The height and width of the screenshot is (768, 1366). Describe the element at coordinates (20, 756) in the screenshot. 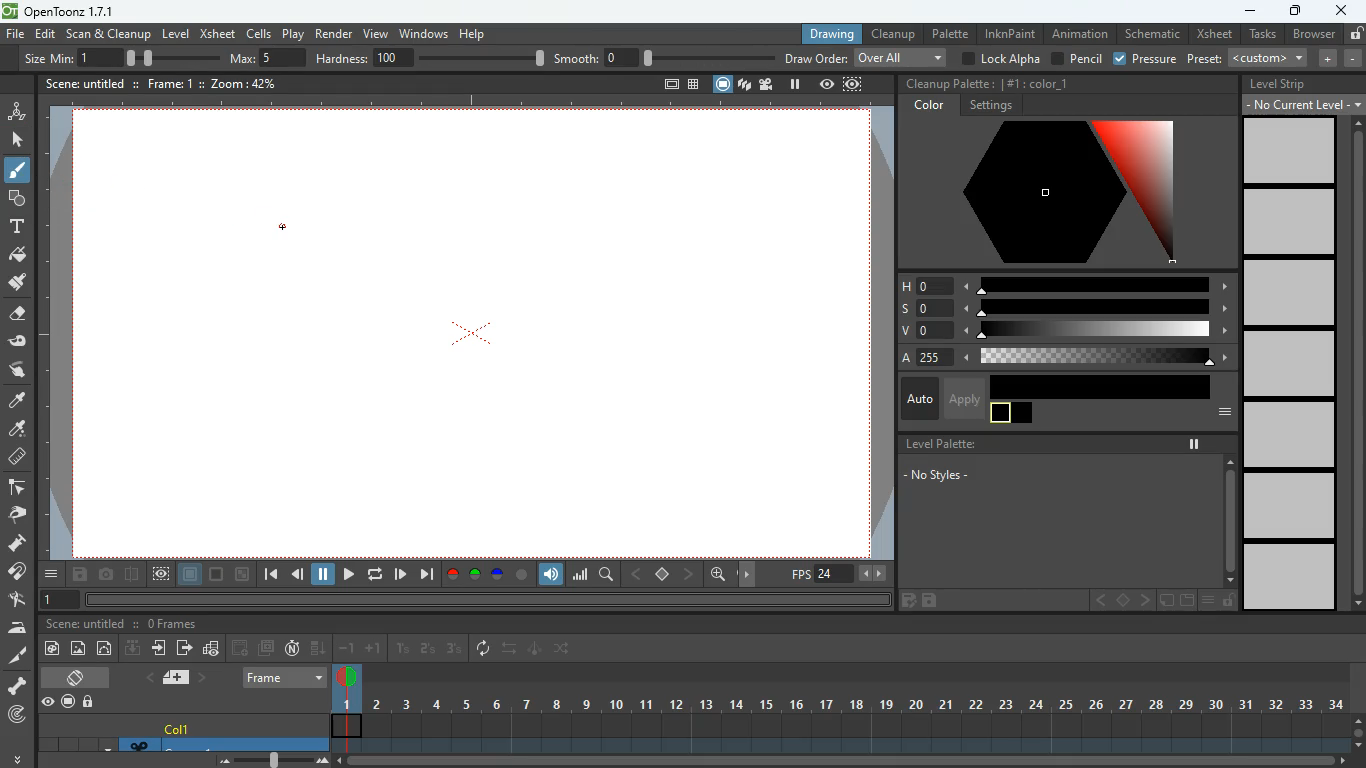

I see `more` at that location.